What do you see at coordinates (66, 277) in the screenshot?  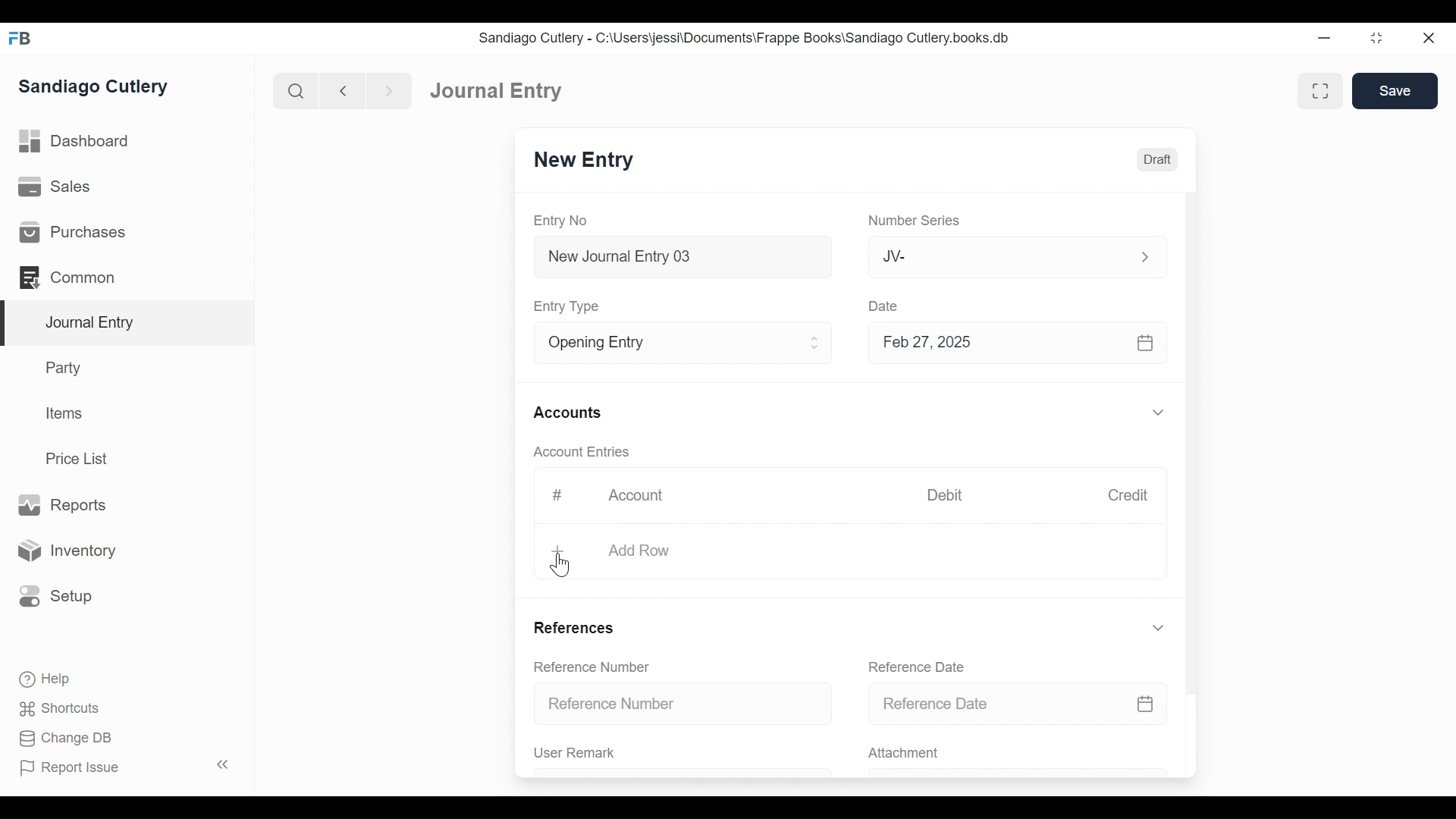 I see `Commons` at bounding box center [66, 277].